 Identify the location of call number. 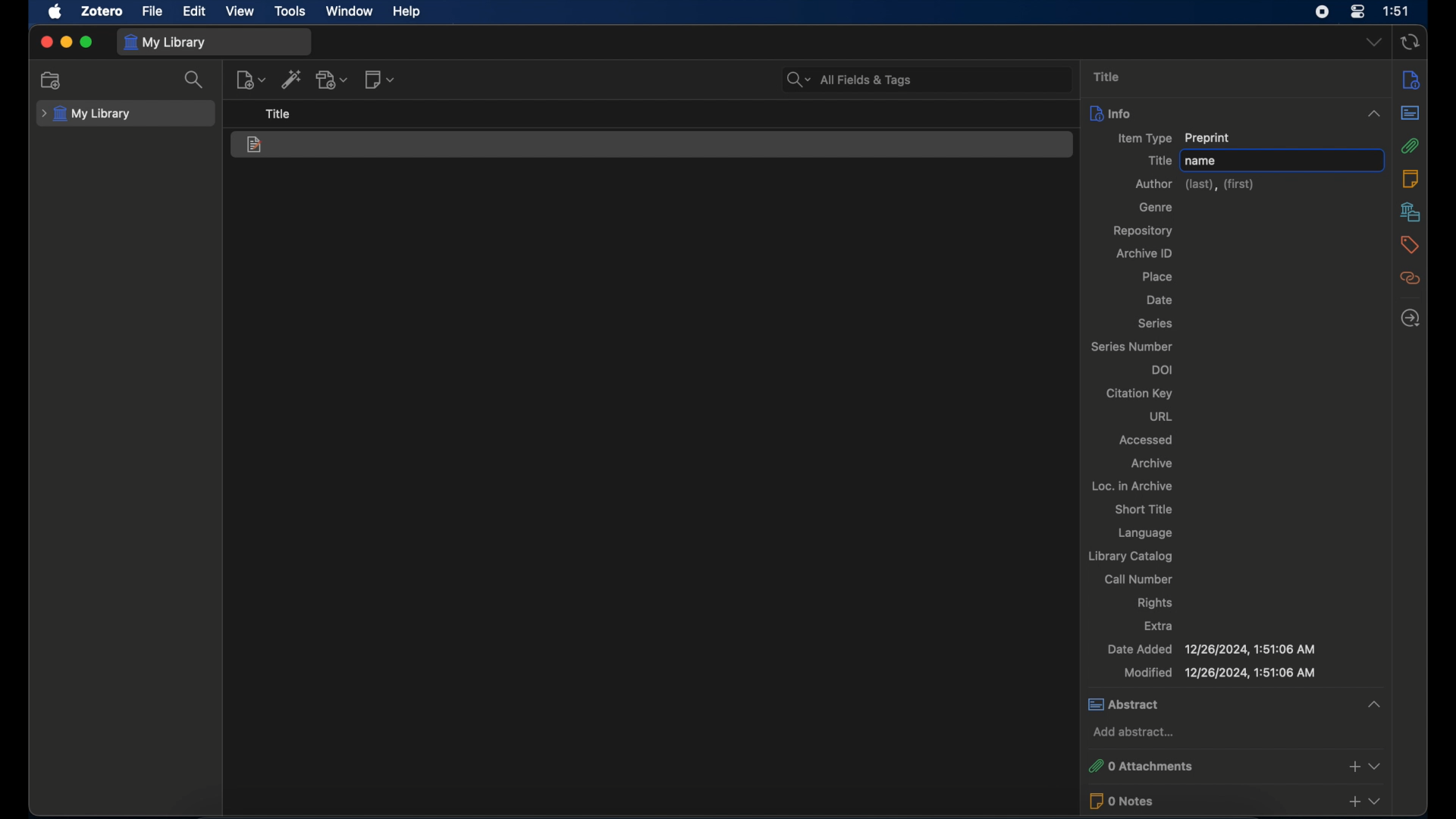
(1141, 579).